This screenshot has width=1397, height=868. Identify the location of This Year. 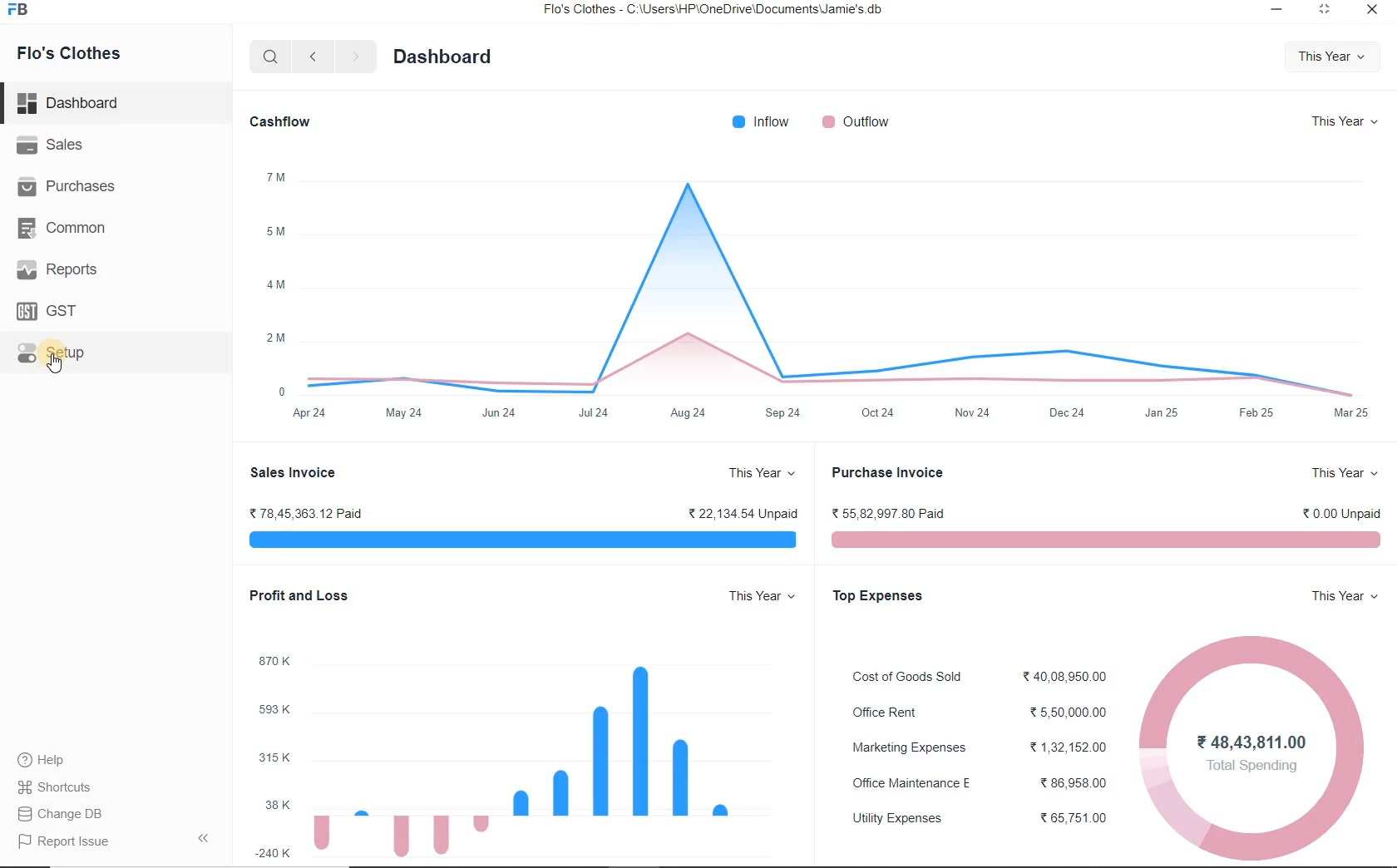
(1347, 594).